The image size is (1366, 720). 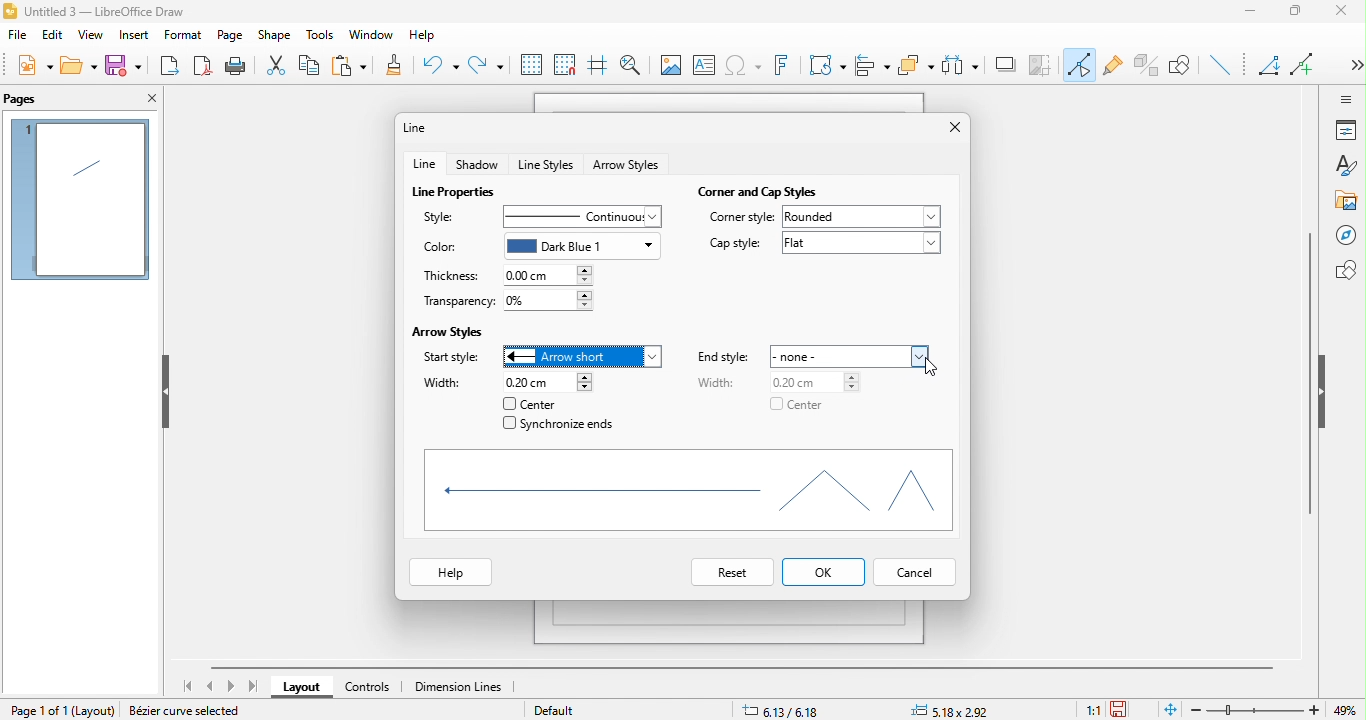 What do you see at coordinates (1278, 710) in the screenshot?
I see `zoom` at bounding box center [1278, 710].